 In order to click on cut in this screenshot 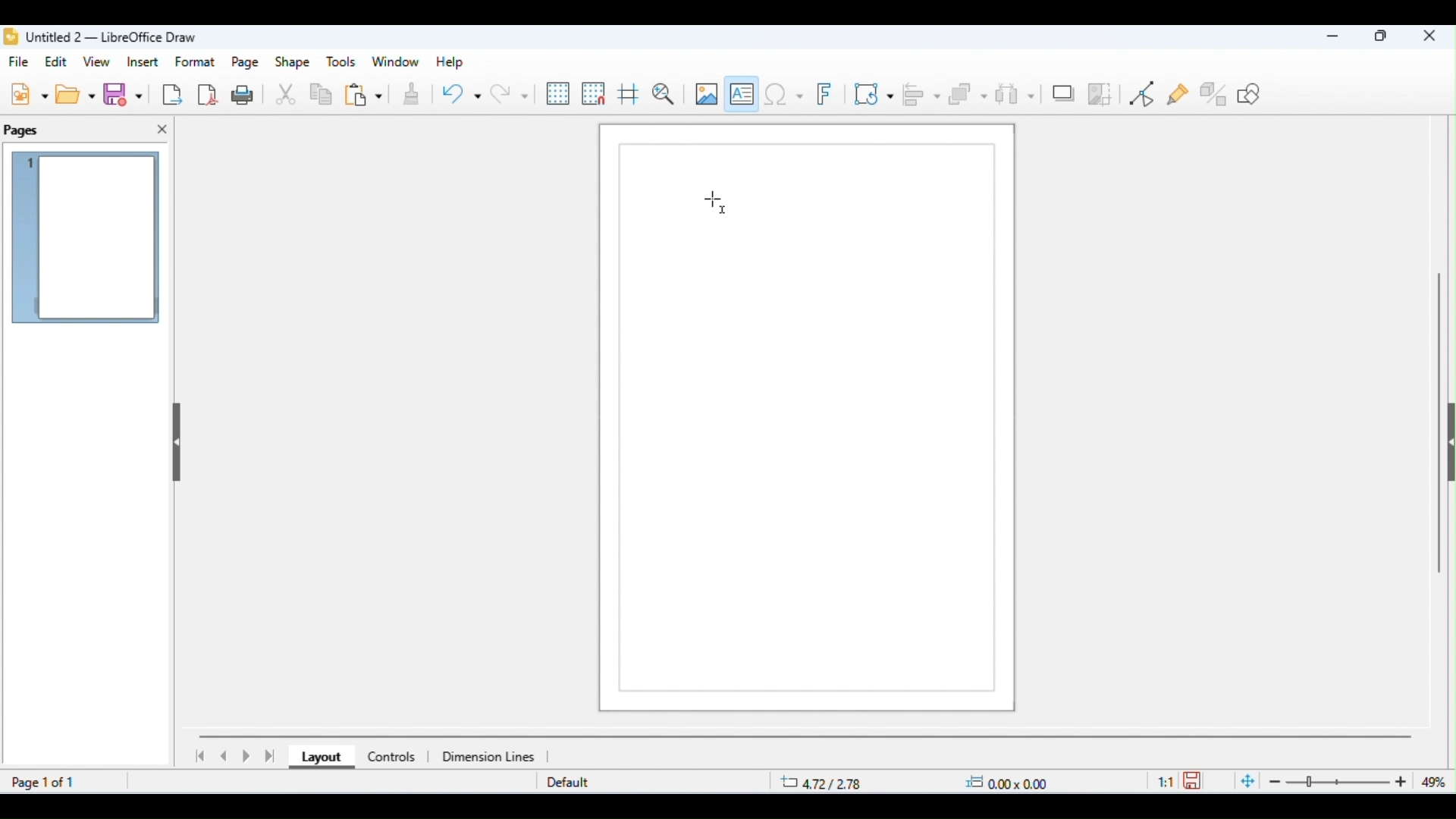, I will do `click(287, 96)`.